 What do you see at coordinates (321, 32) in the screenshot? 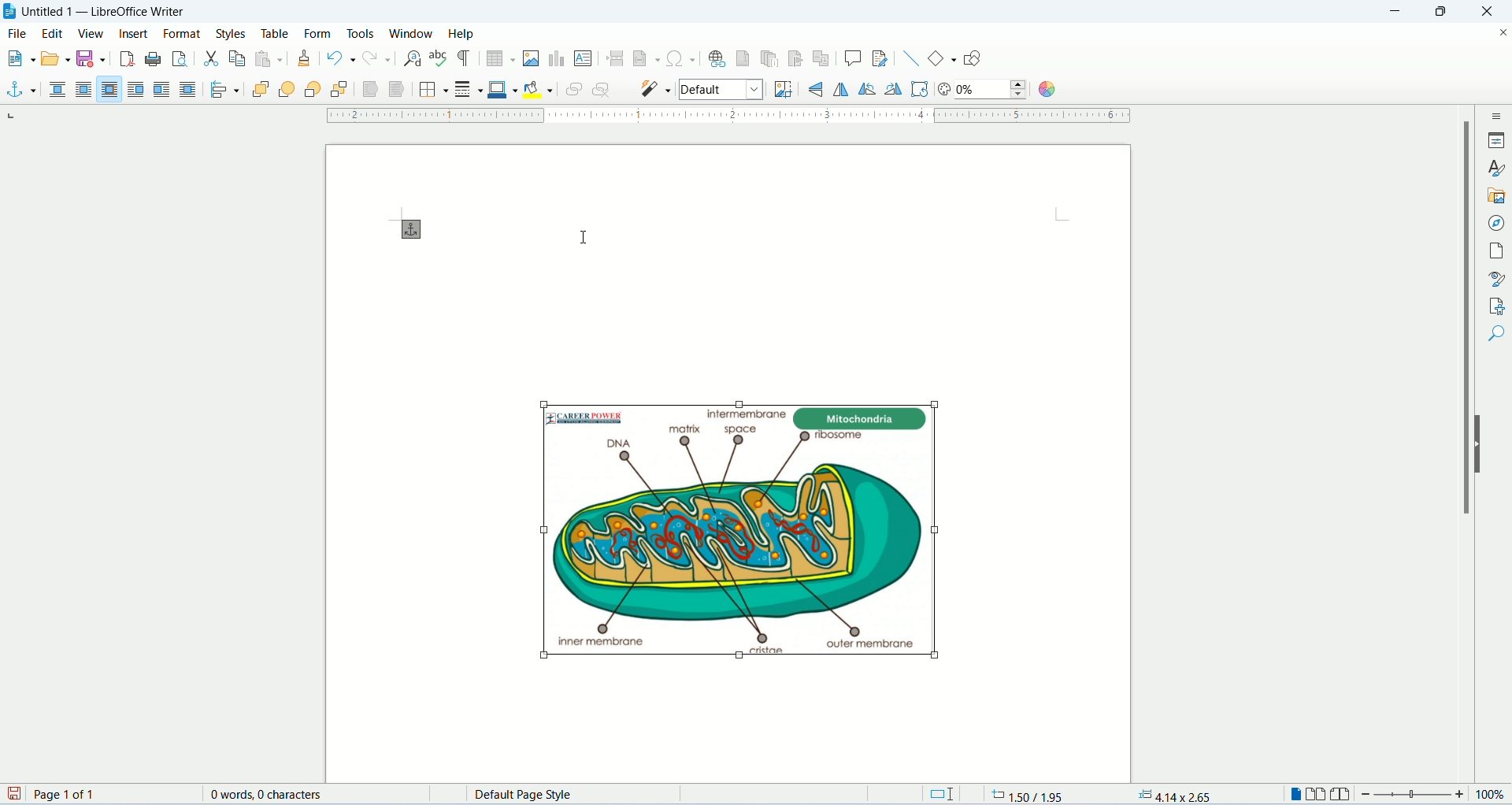
I see `form` at bounding box center [321, 32].